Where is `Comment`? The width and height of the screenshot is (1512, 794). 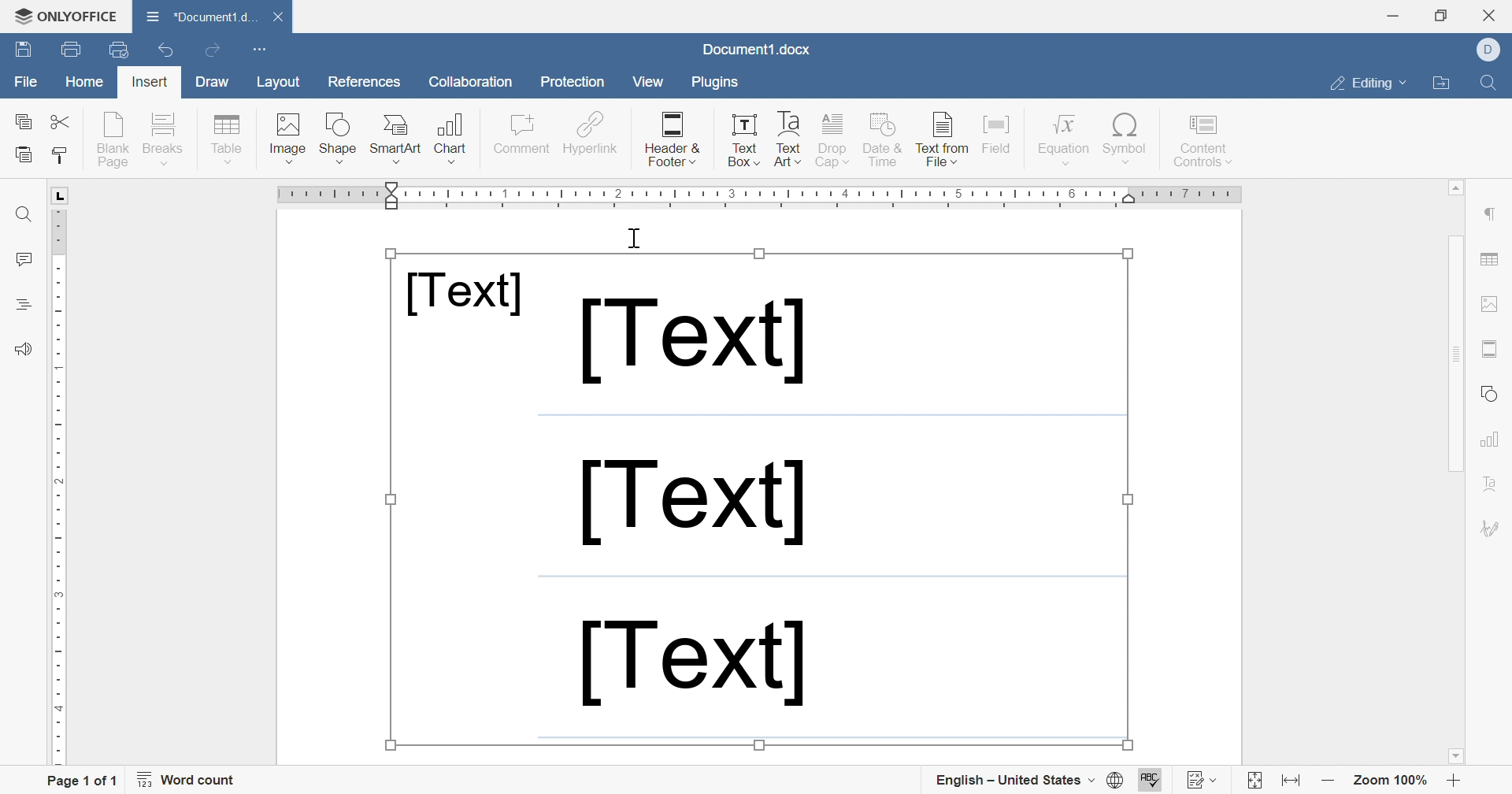
Comment is located at coordinates (517, 135).